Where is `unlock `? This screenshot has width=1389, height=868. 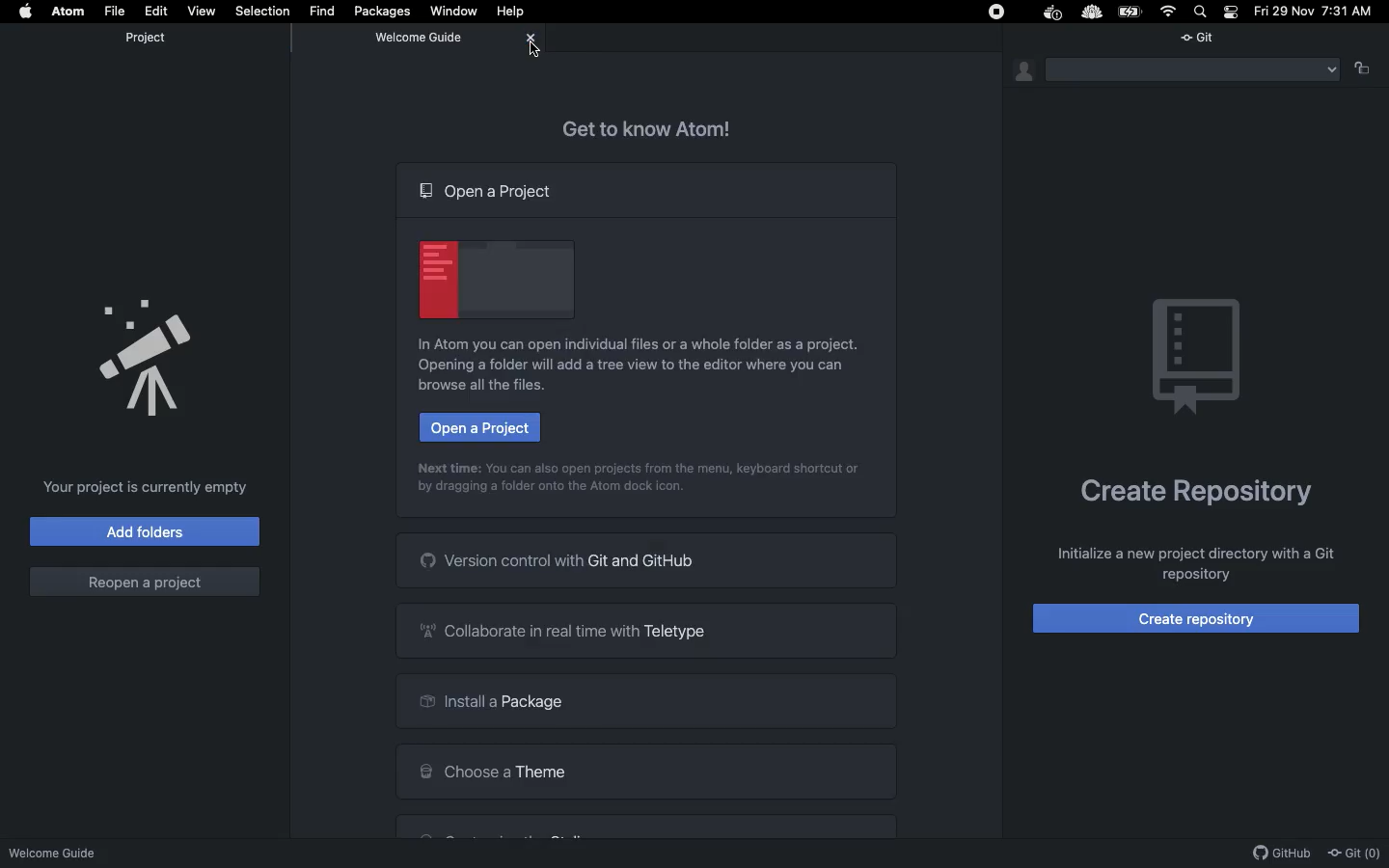
unlock  is located at coordinates (1362, 73).